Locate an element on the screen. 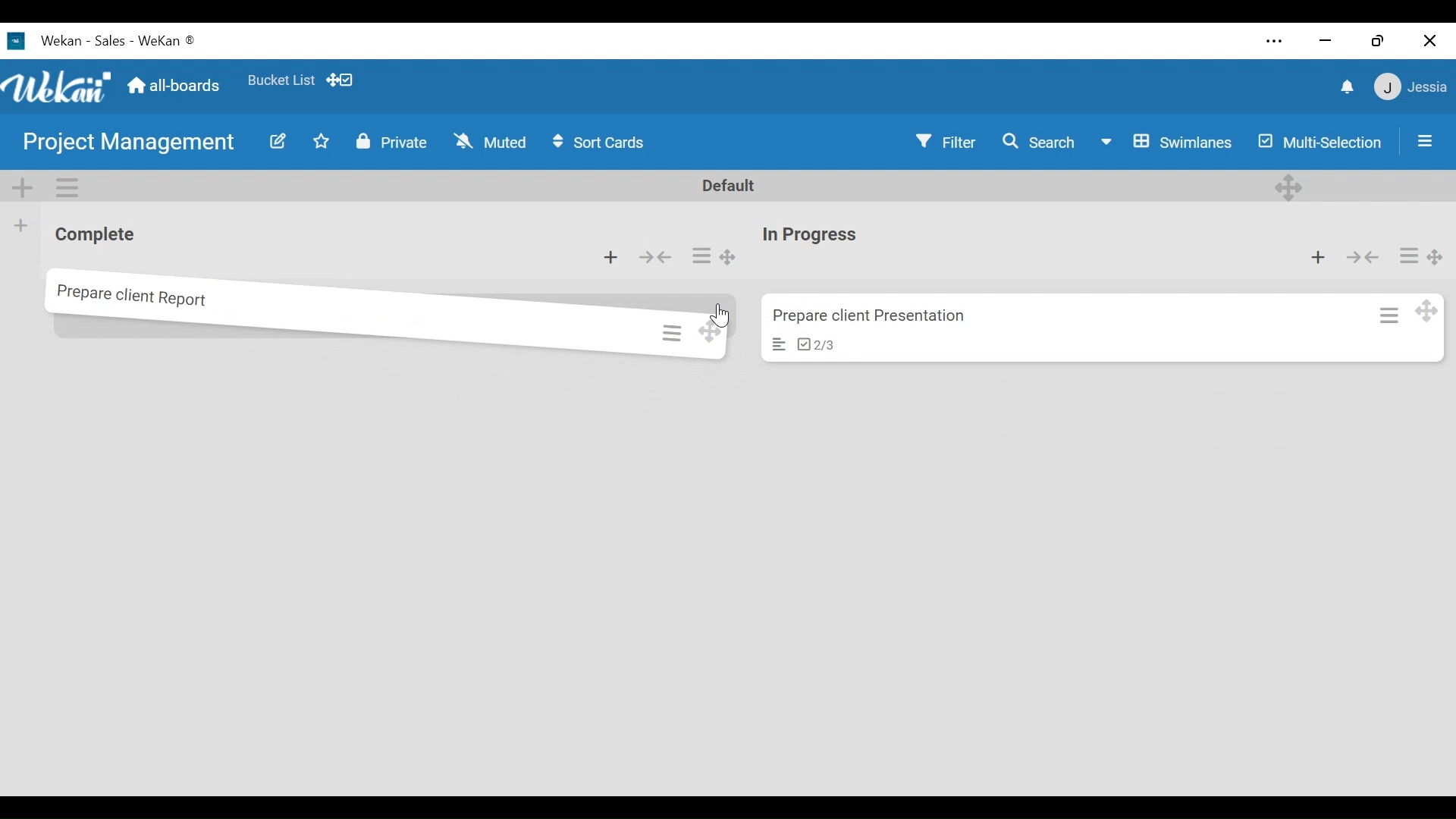  dekstop drag bar is located at coordinates (347, 80).